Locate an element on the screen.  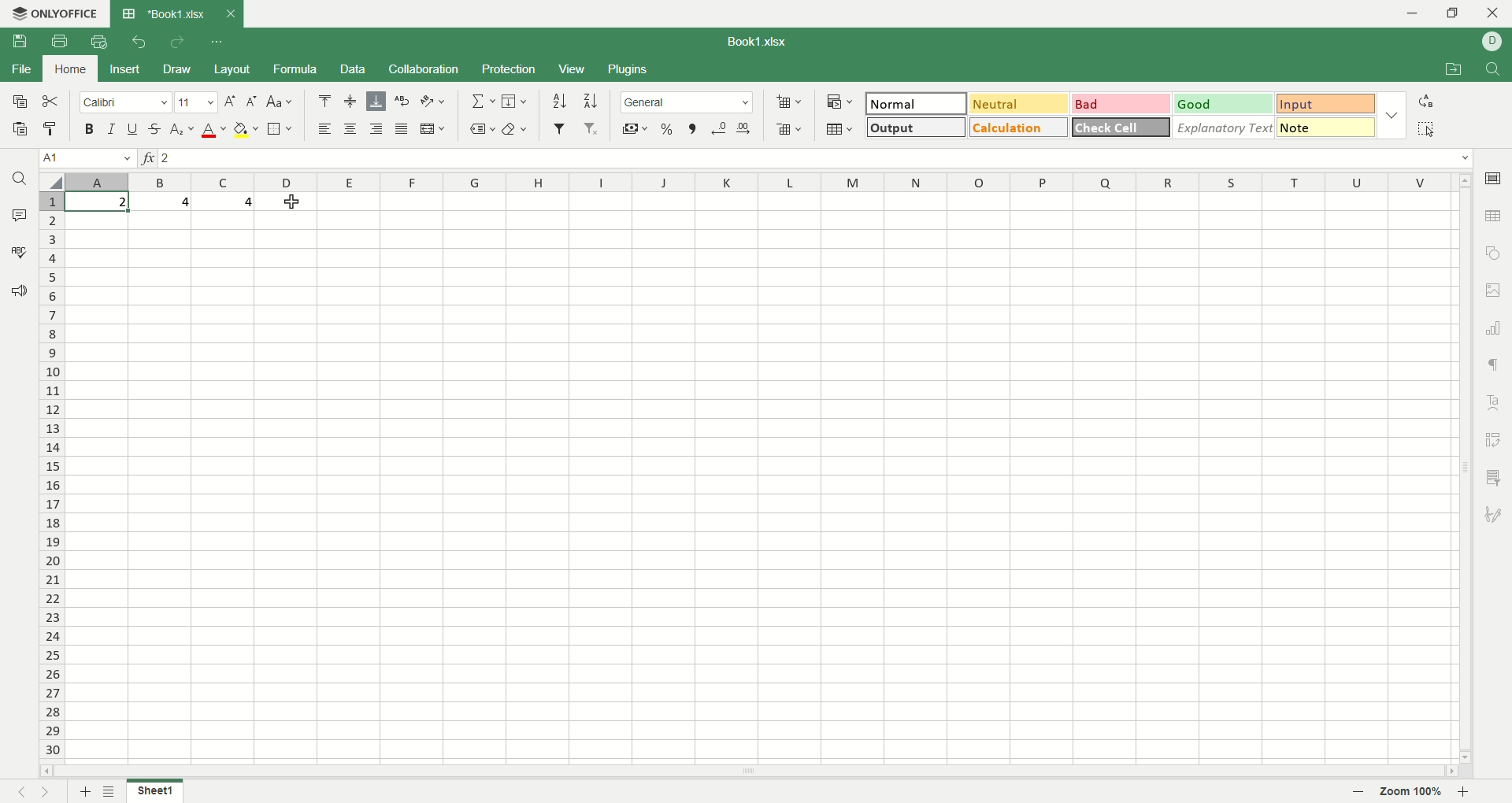
spell checking is located at coordinates (18, 253).